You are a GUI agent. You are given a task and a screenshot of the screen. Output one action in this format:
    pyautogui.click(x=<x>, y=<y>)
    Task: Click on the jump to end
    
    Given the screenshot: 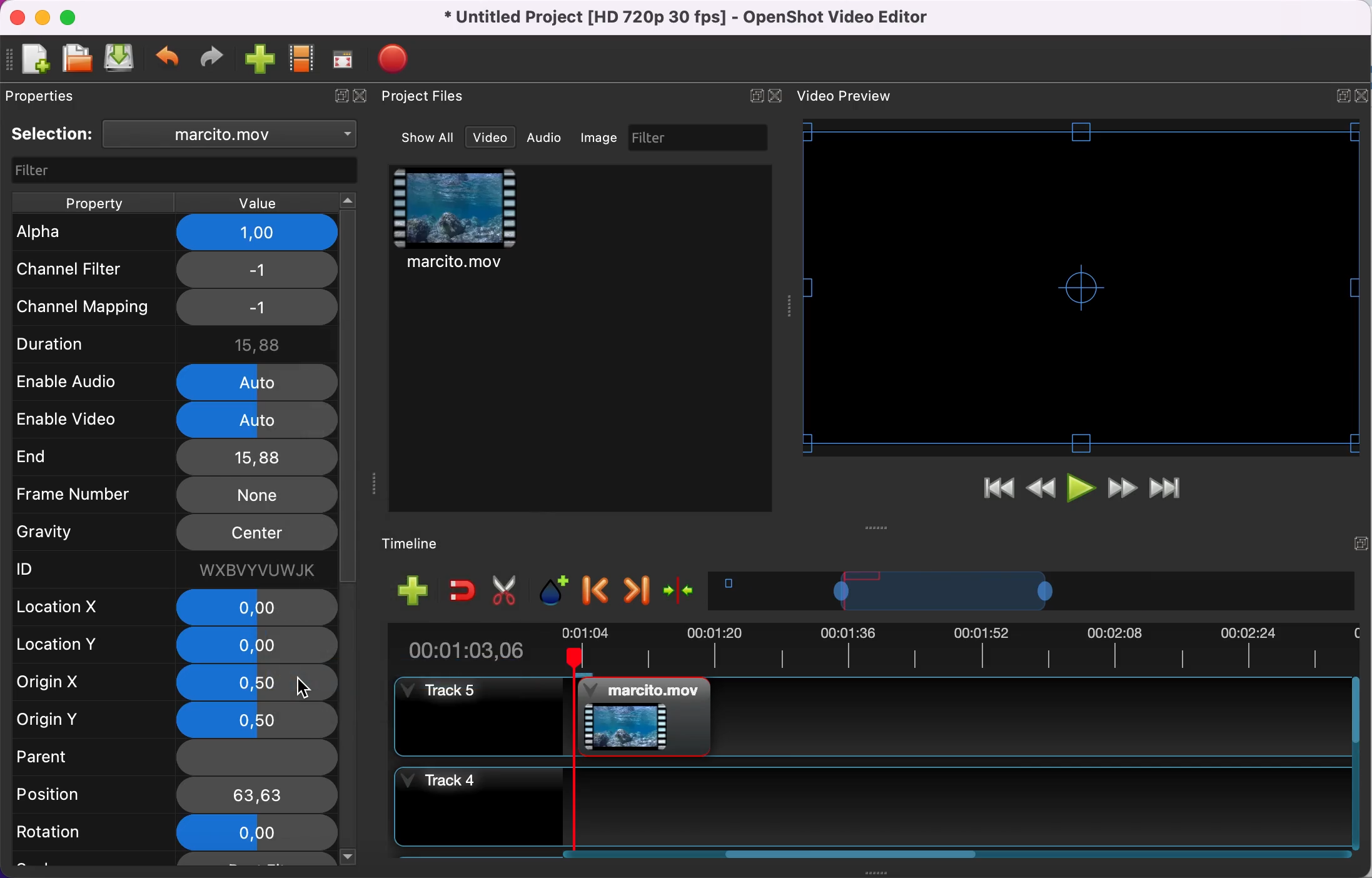 What is the action you would take?
    pyautogui.click(x=1166, y=490)
    